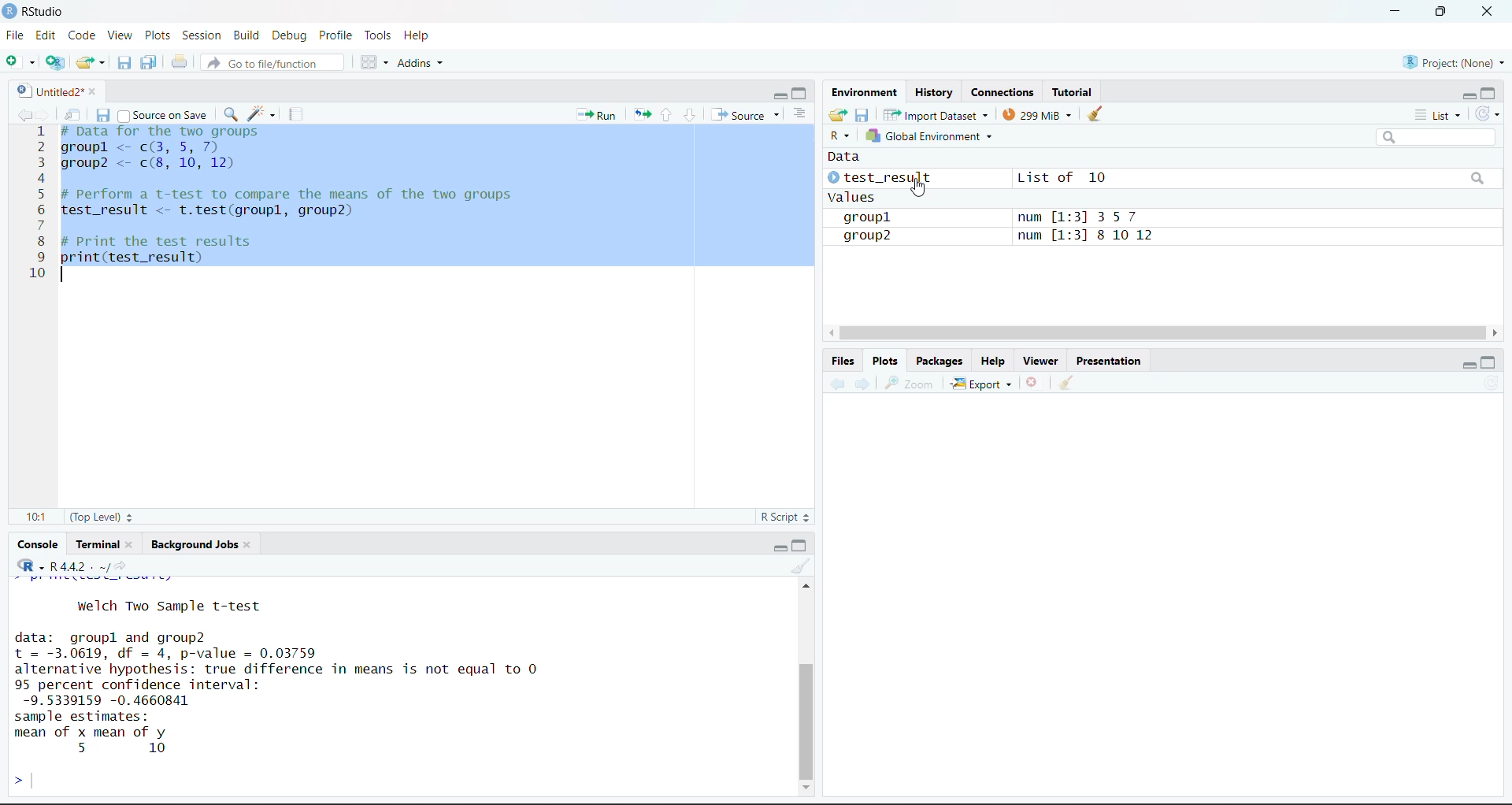 This screenshot has width=1512, height=805. What do you see at coordinates (639, 113) in the screenshot?
I see `Re-run the previous code again` at bounding box center [639, 113].